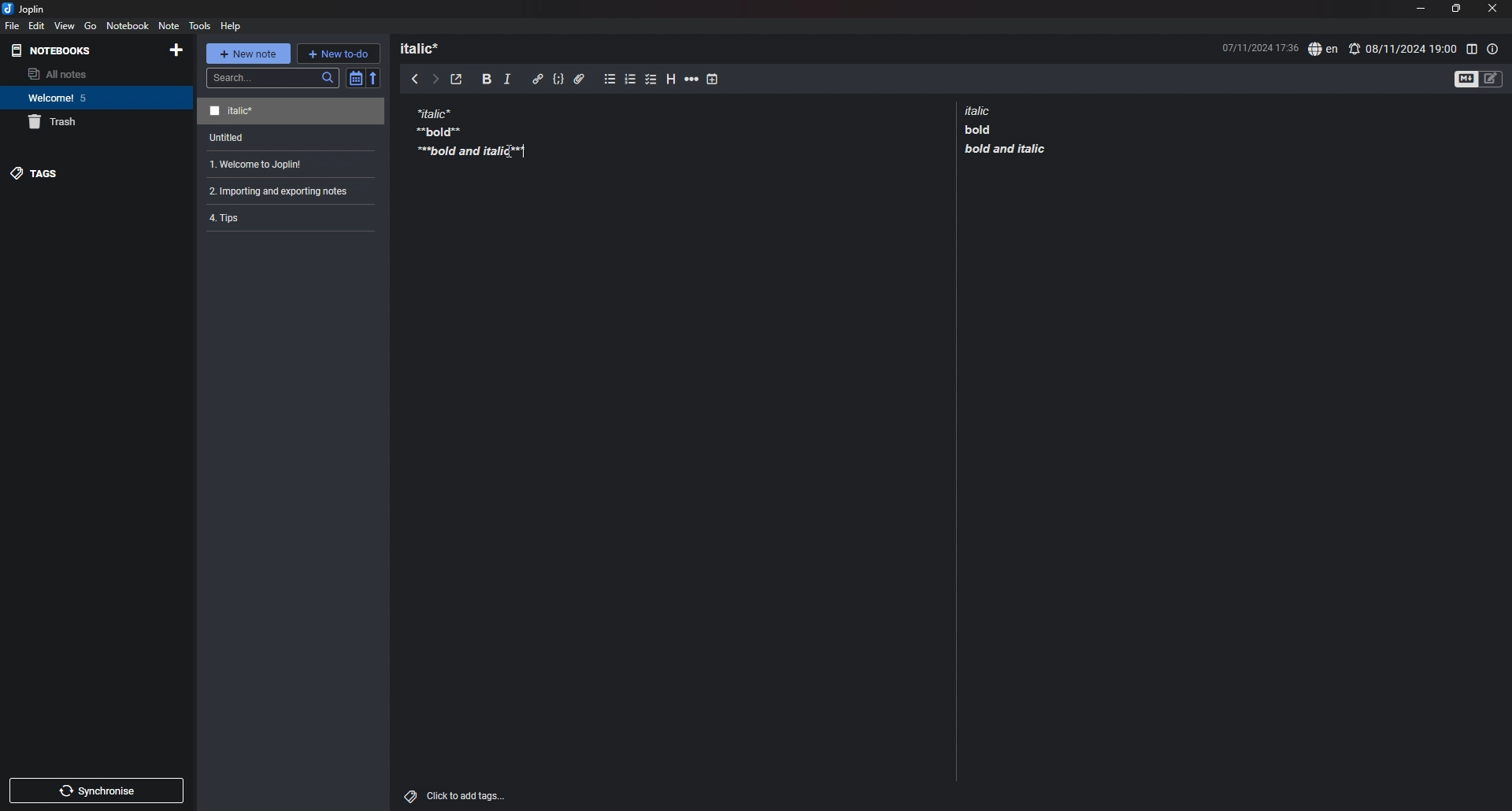 The image size is (1512, 811). I want to click on edit, so click(37, 25).